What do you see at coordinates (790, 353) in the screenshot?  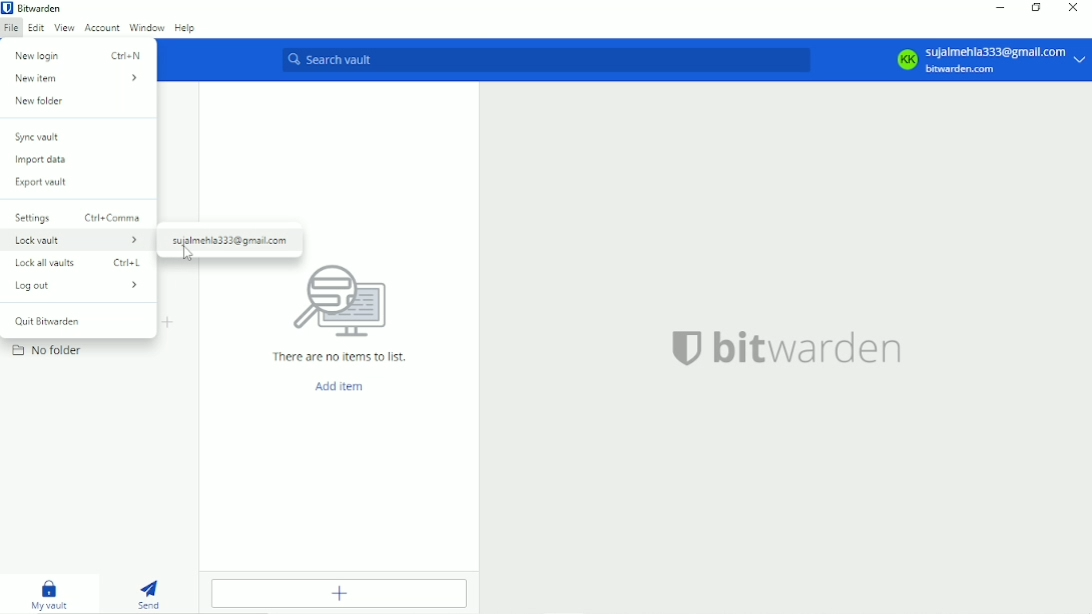 I see `bitwarden` at bounding box center [790, 353].